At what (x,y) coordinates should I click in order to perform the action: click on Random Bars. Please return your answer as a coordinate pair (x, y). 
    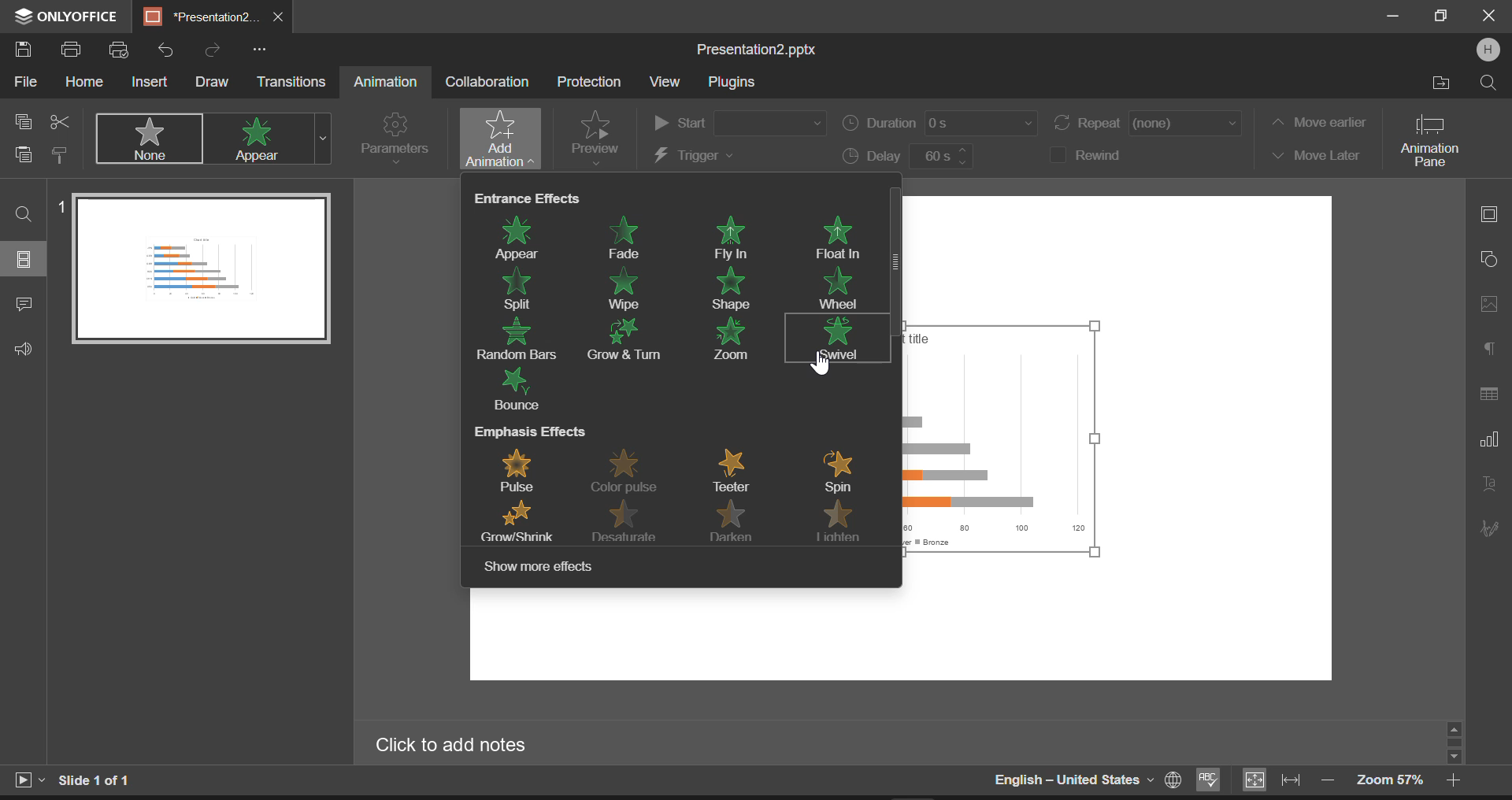
    Looking at the image, I should click on (521, 338).